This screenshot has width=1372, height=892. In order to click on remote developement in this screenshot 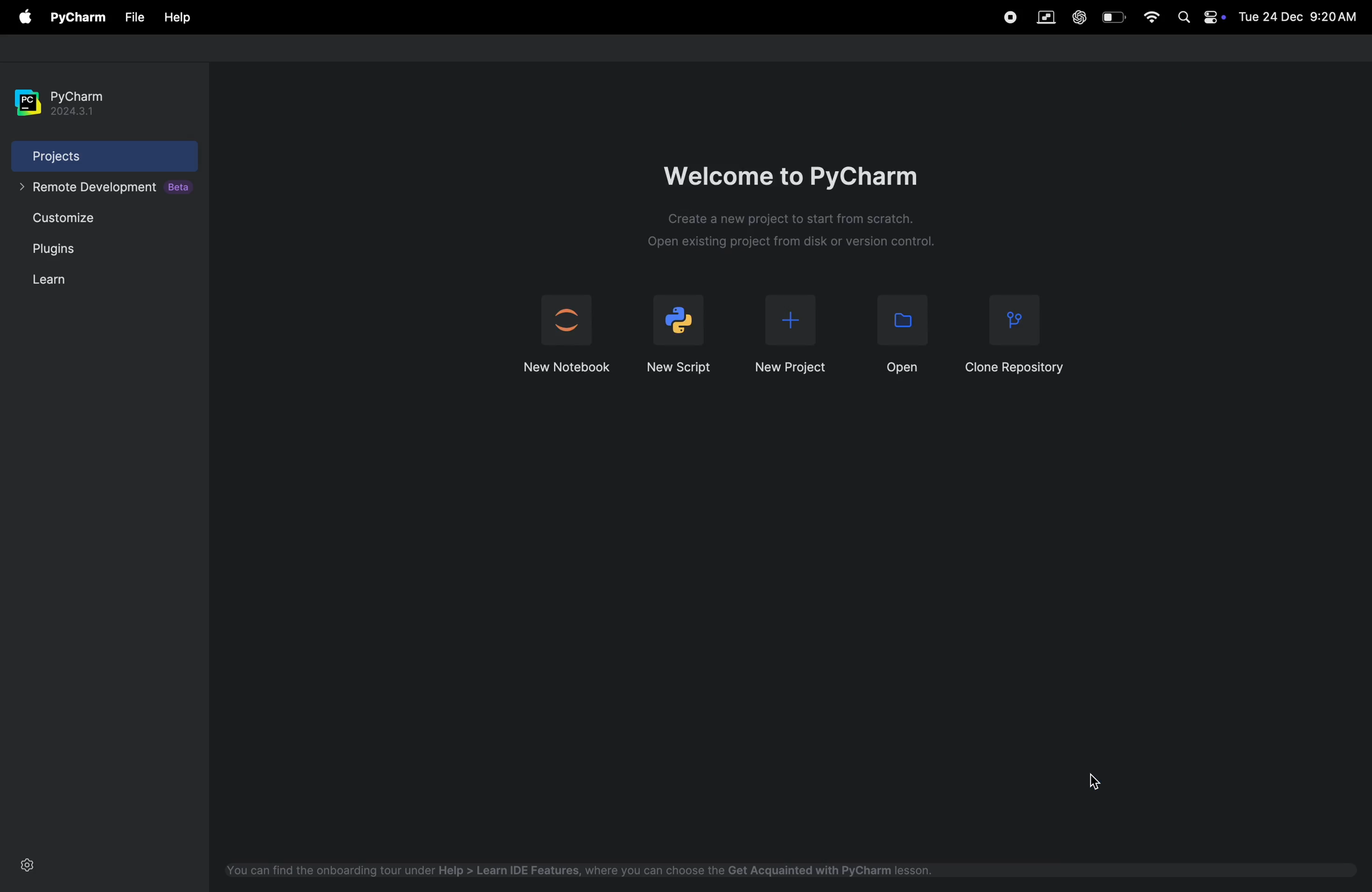, I will do `click(108, 188)`.